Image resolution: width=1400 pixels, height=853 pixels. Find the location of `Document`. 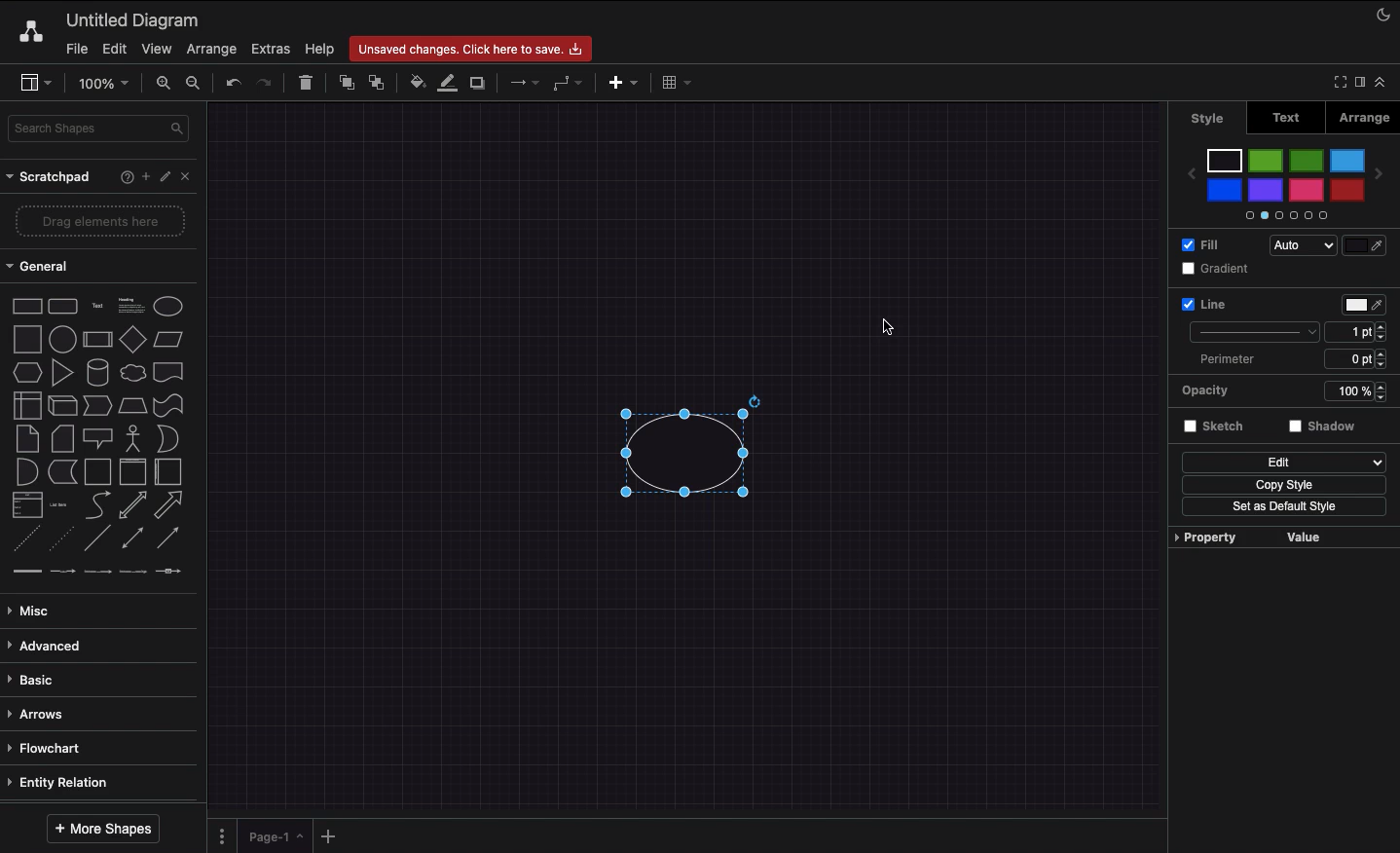

Document is located at coordinates (169, 372).